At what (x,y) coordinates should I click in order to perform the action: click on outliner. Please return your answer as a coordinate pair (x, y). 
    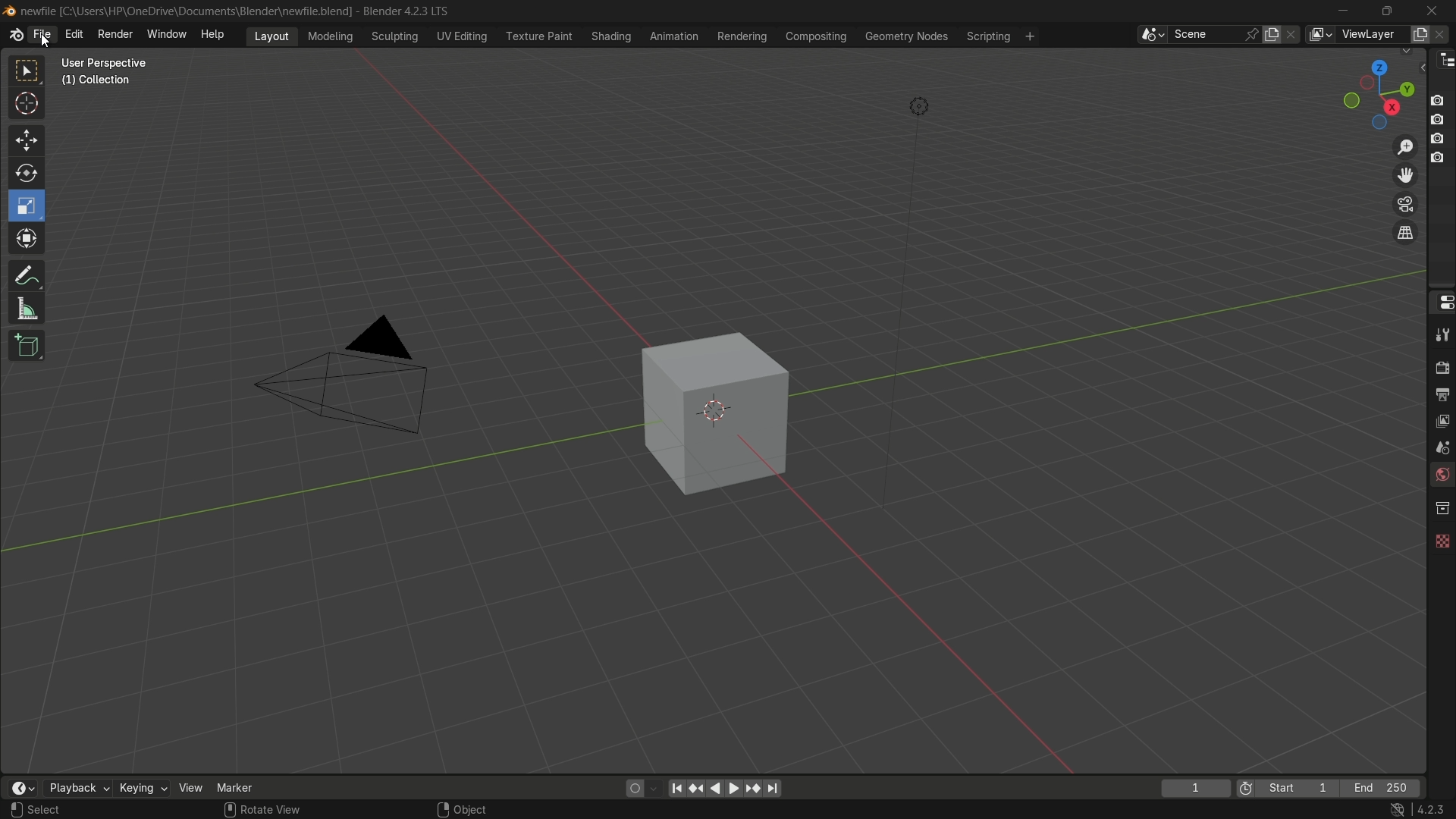
    Looking at the image, I should click on (1442, 59).